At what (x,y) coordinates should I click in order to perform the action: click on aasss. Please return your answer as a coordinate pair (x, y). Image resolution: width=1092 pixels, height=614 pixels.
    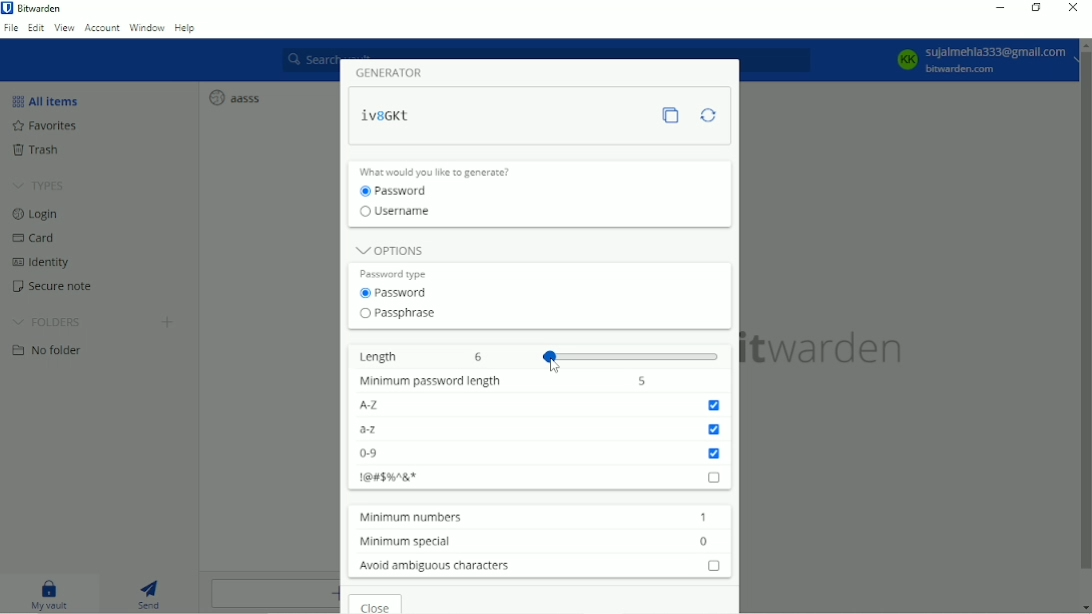
    Looking at the image, I should click on (234, 97).